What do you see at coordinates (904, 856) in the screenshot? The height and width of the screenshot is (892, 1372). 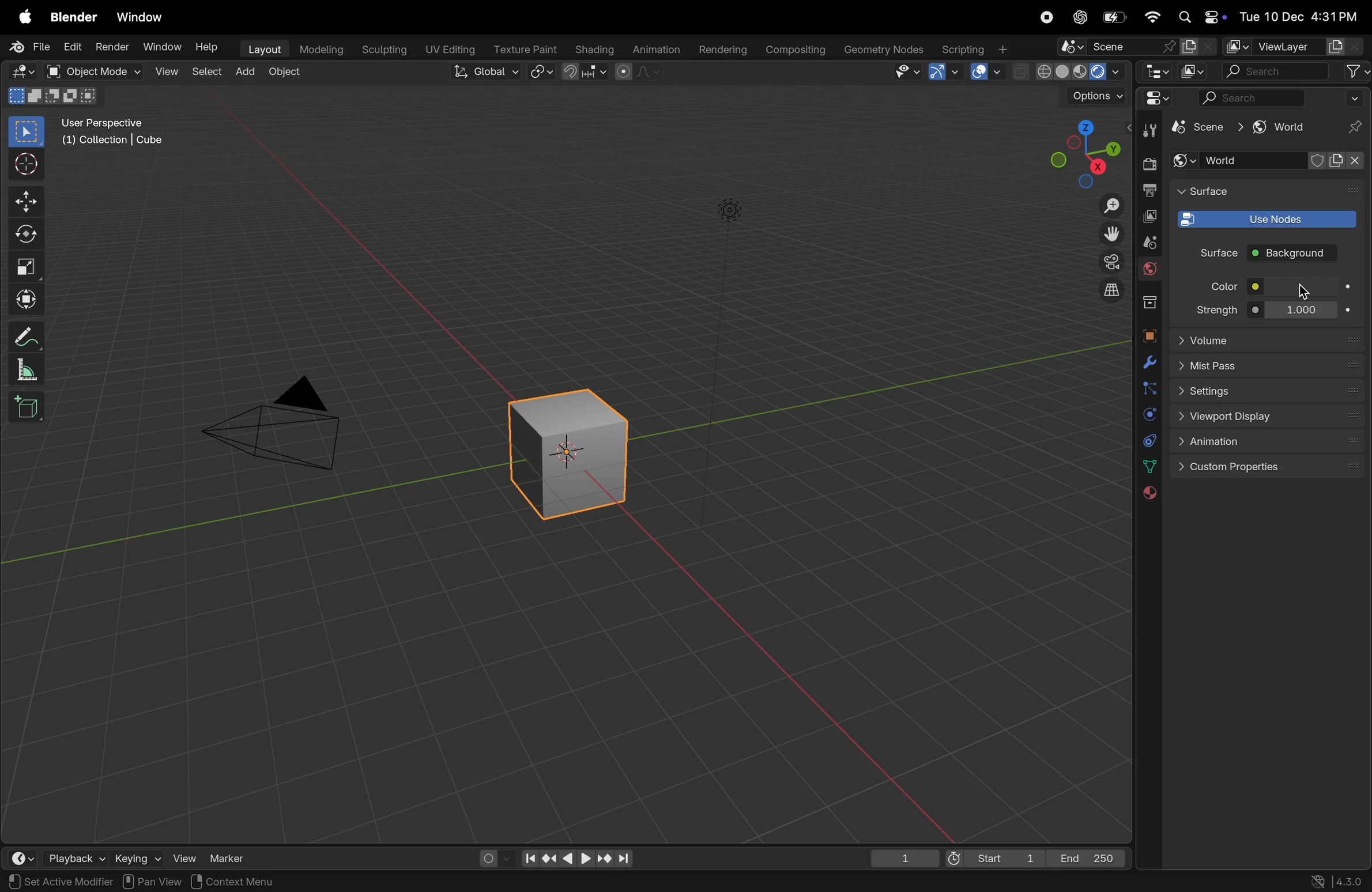 I see `1` at bounding box center [904, 856].